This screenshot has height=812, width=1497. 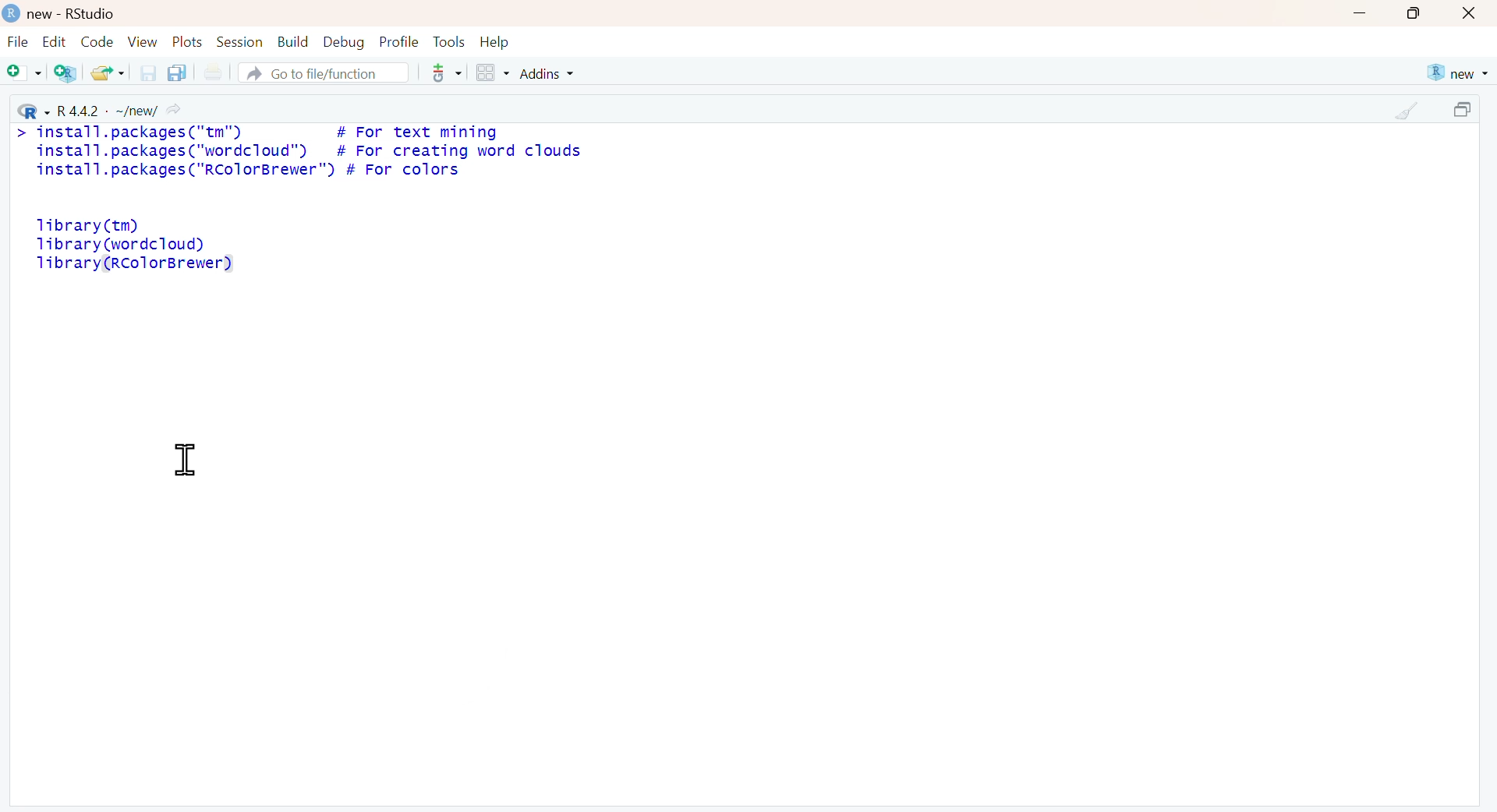 What do you see at coordinates (322, 72) in the screenshot?
I see `Go to file/function` at bounding box center [322, 72].